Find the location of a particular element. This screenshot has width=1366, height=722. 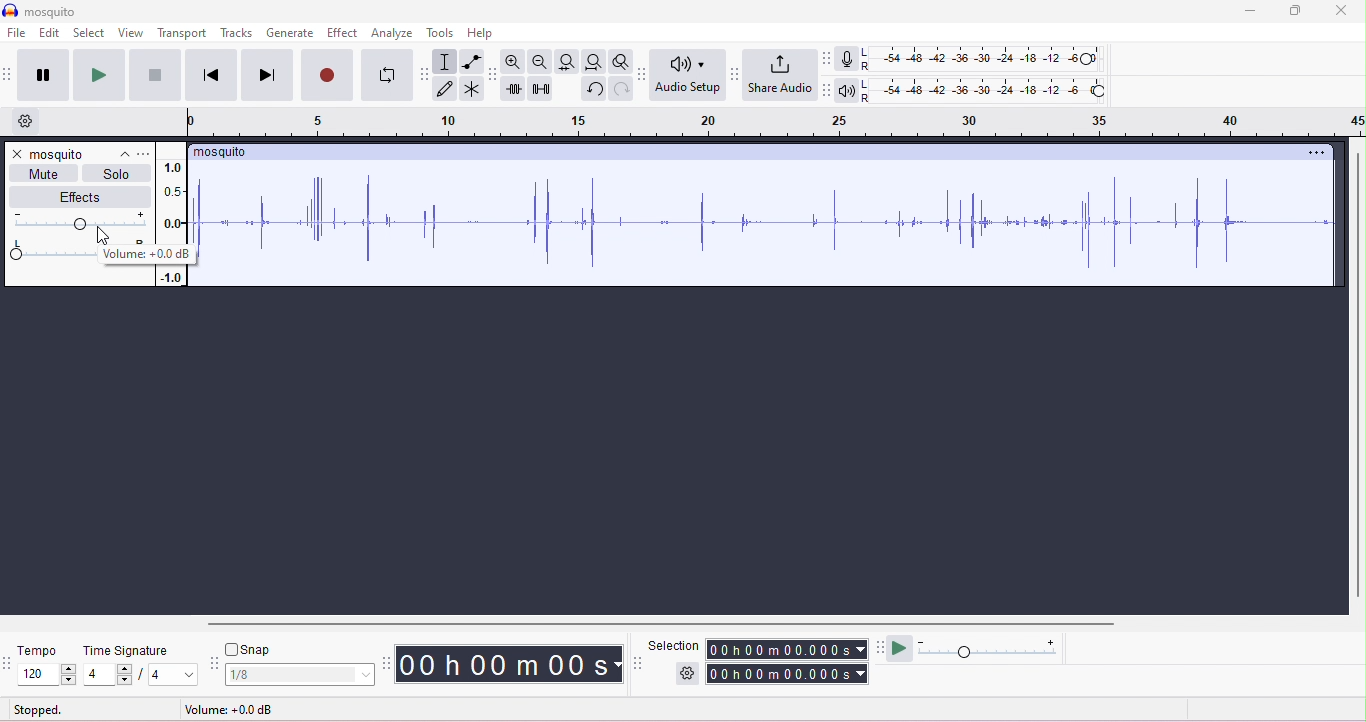

playback level is located at coordinates (984, 91).